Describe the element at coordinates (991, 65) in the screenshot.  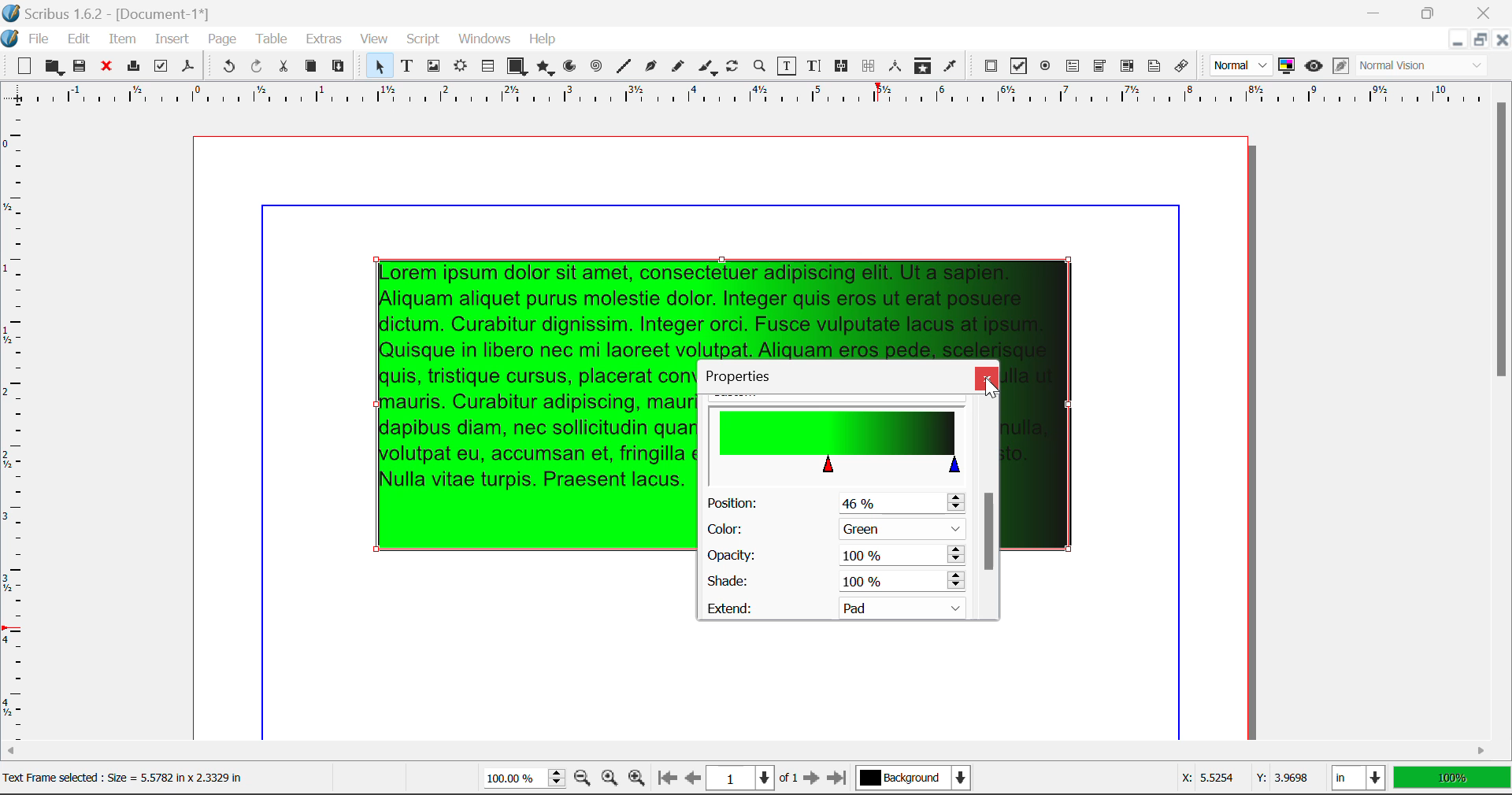
I see `PDF Push Button` at that location.